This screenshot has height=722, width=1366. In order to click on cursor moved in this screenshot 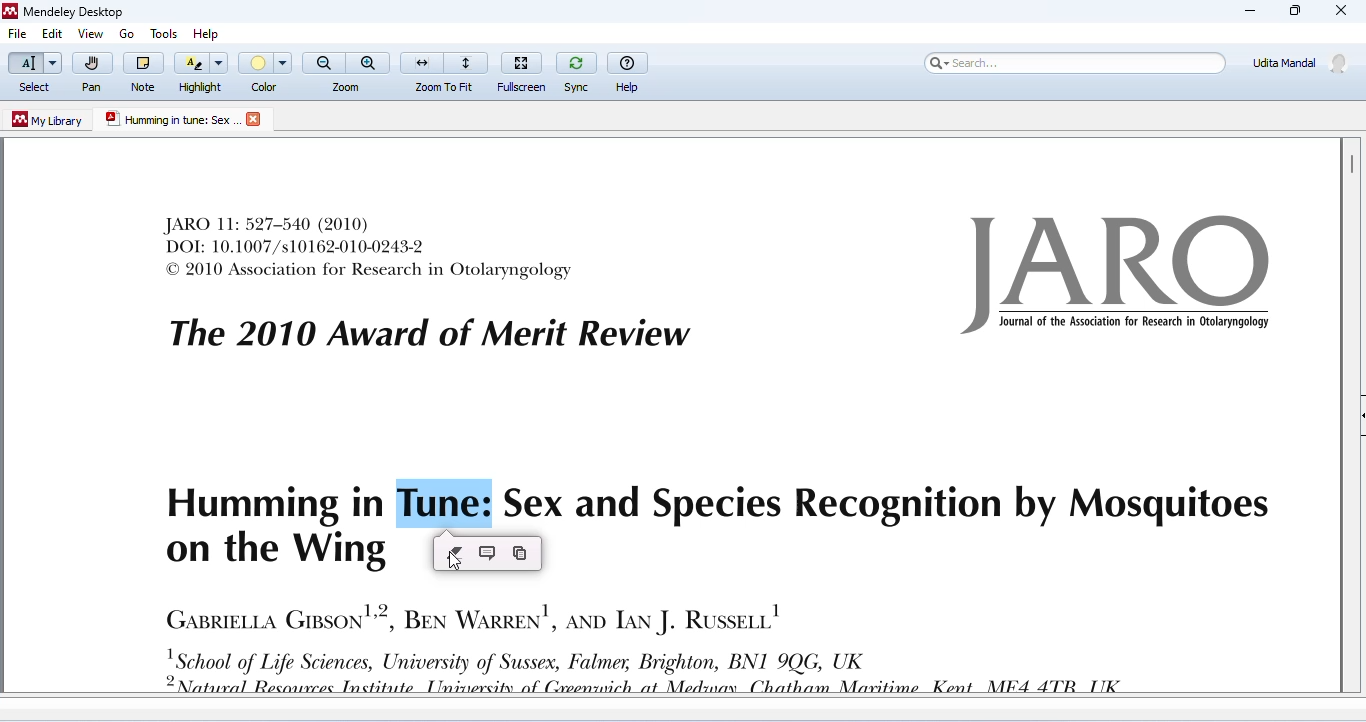, I will do `click(458, 564)`.